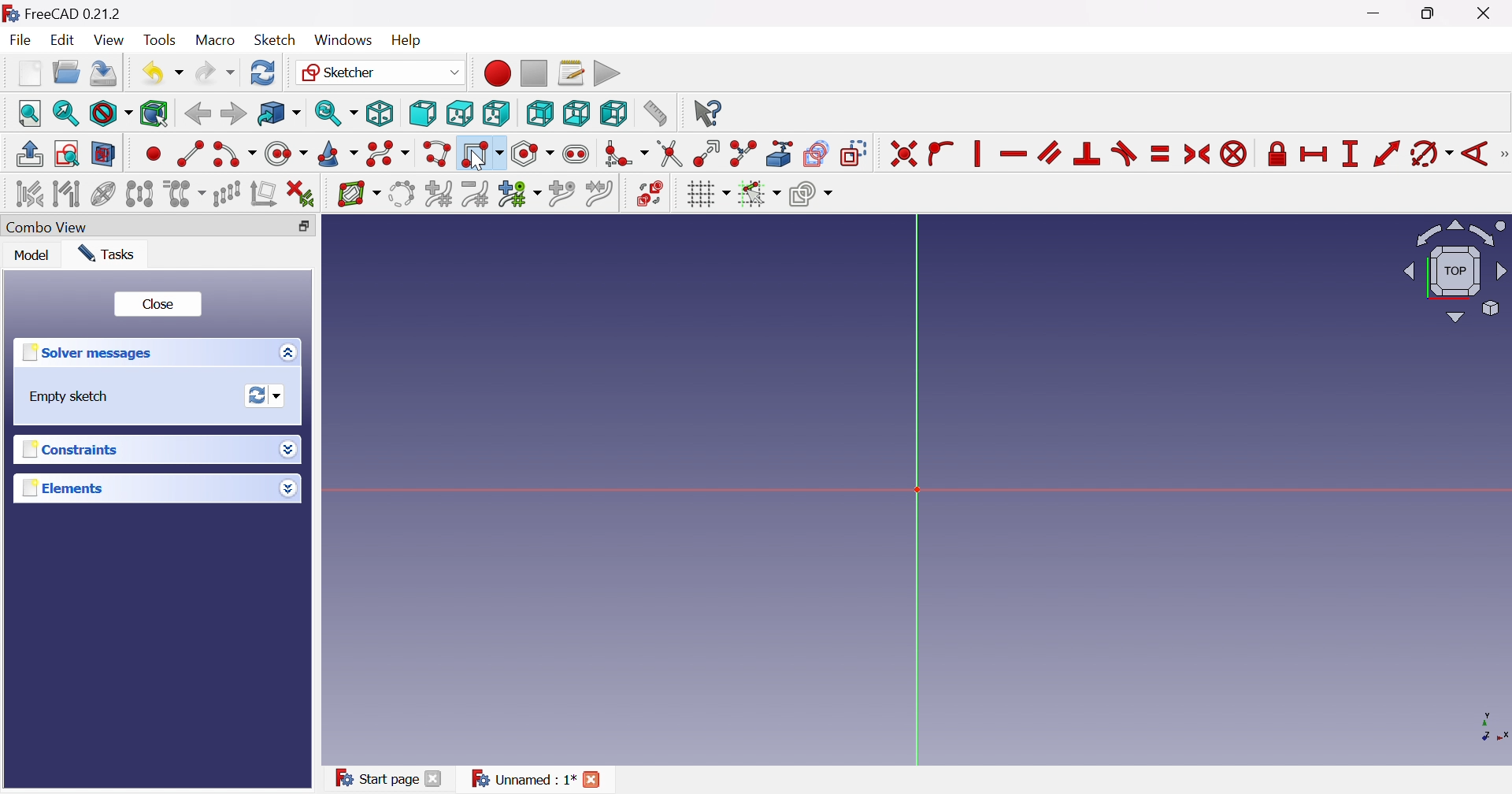 This screenshot has height=794, width=1512. Describe the element at coordinates (286, 154) in the screenshot. I see `Create circle` at that location.